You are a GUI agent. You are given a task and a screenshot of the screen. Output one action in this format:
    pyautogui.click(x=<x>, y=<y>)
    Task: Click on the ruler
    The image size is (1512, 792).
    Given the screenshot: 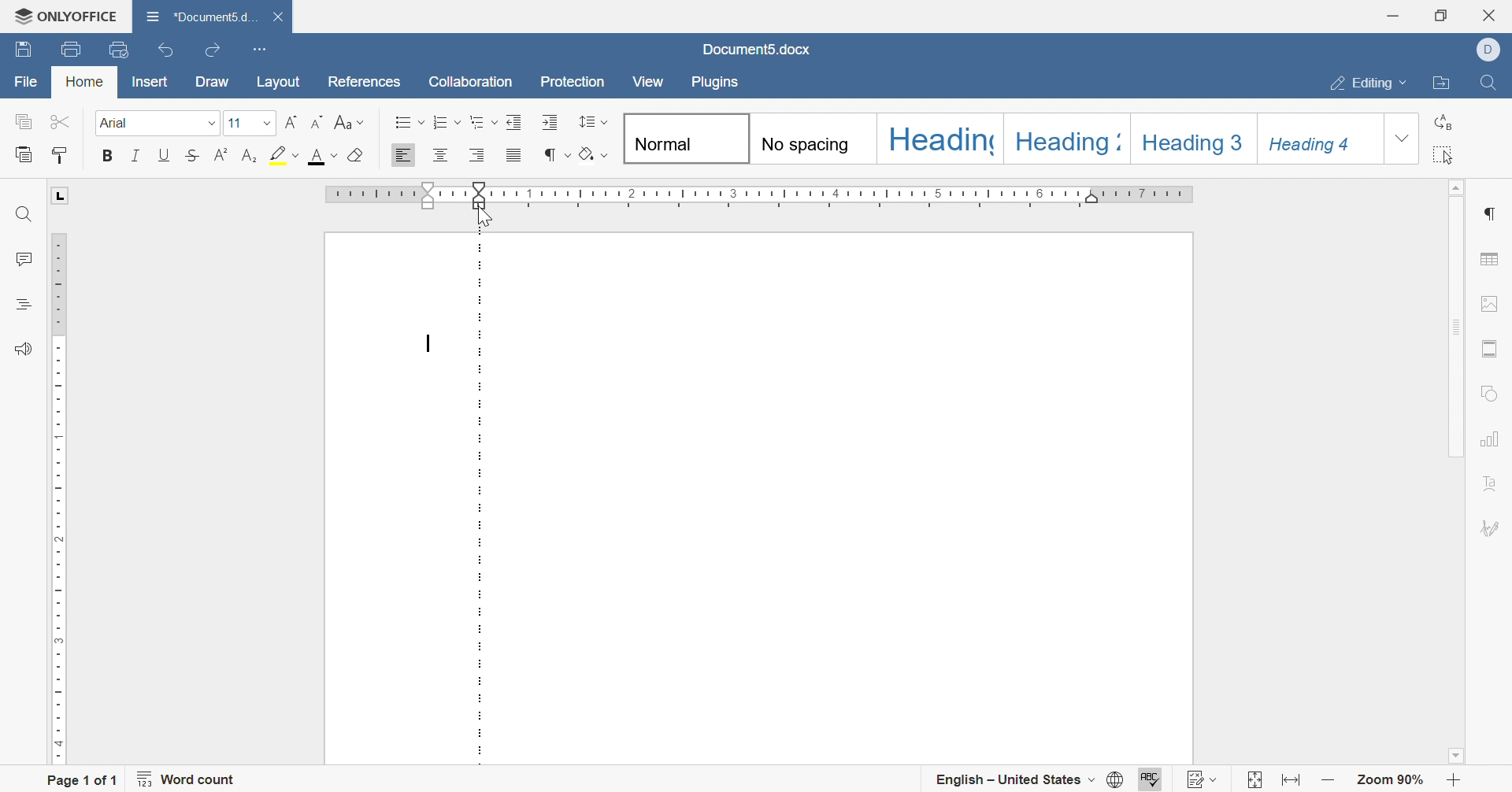 What is the action you would take?
    pyautogui.click(x=55, y=495)
    